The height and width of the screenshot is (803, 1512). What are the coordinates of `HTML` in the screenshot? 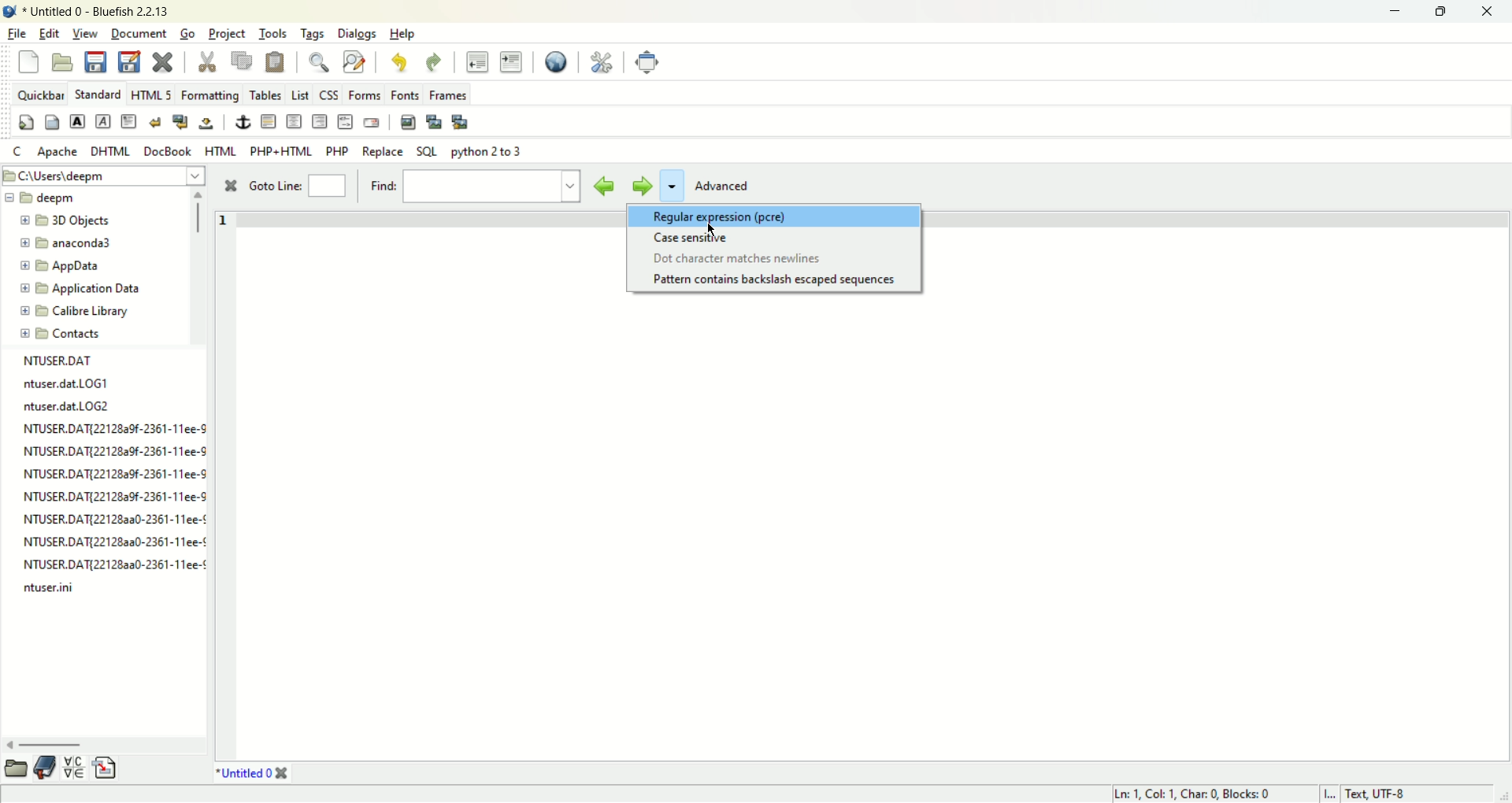 It's located at (221, 150).